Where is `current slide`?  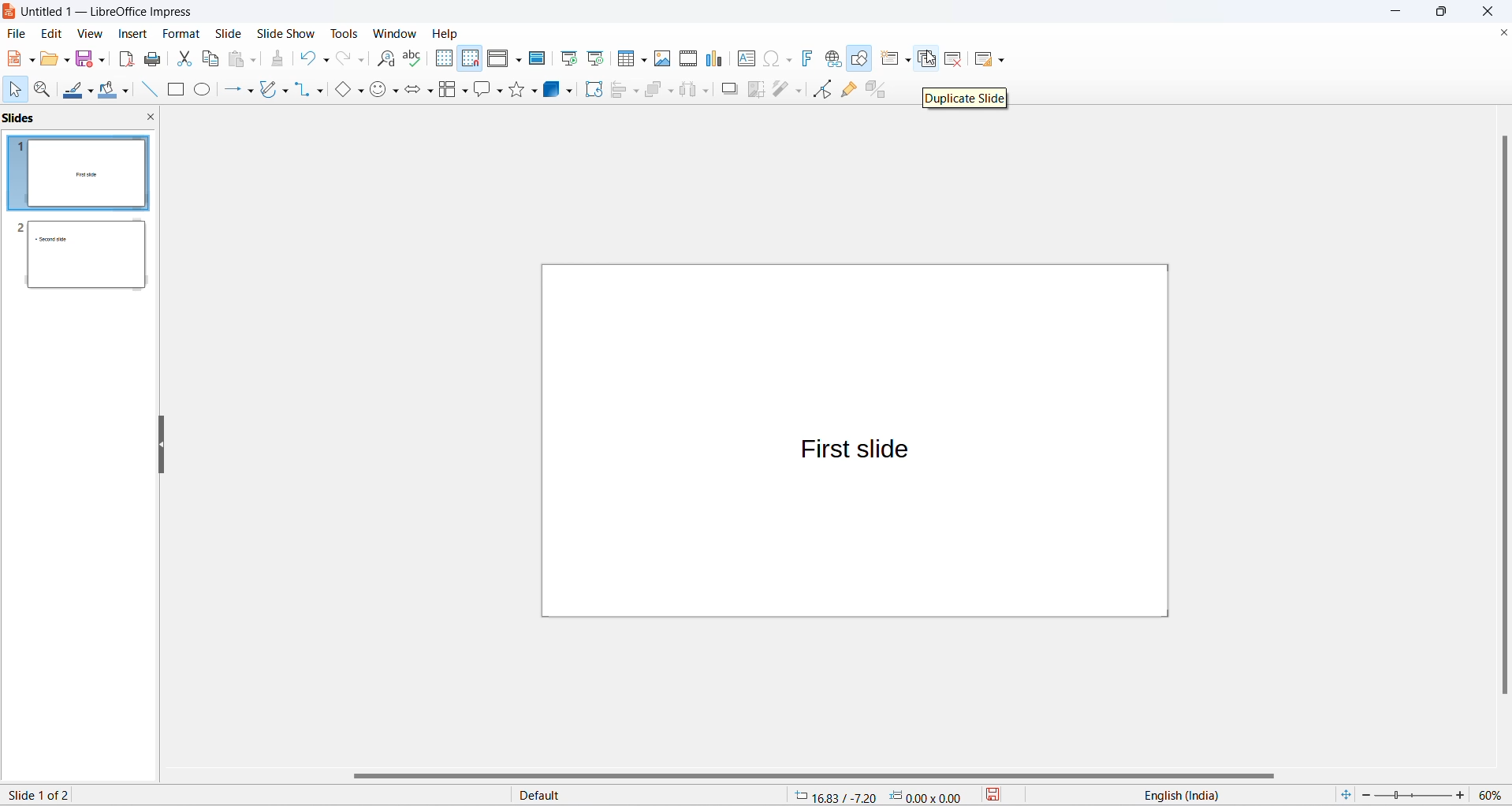 current slide is located at coordinates (40, 793).